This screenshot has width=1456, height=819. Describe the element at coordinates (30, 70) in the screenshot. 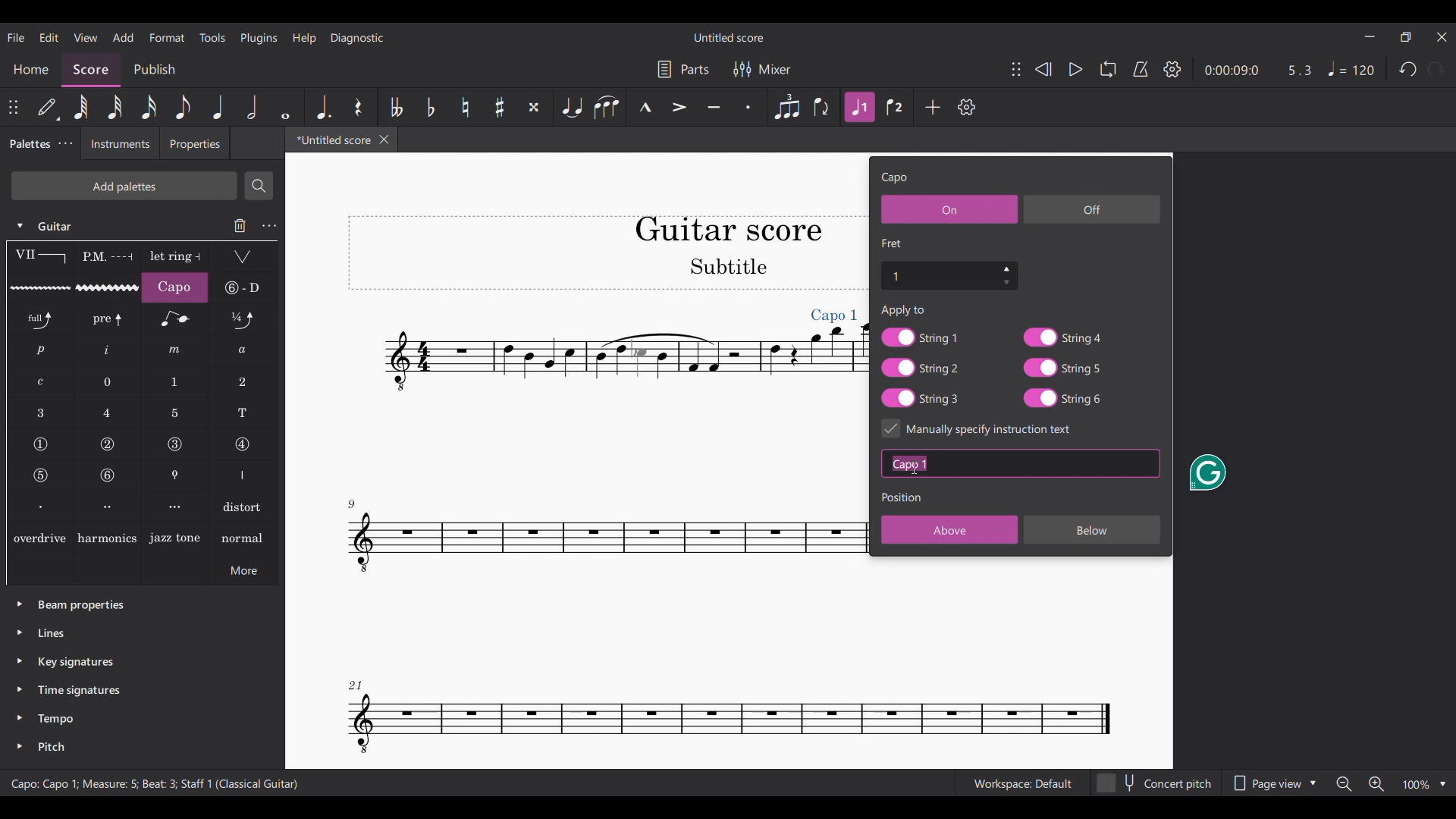

I see `Home` at that location.